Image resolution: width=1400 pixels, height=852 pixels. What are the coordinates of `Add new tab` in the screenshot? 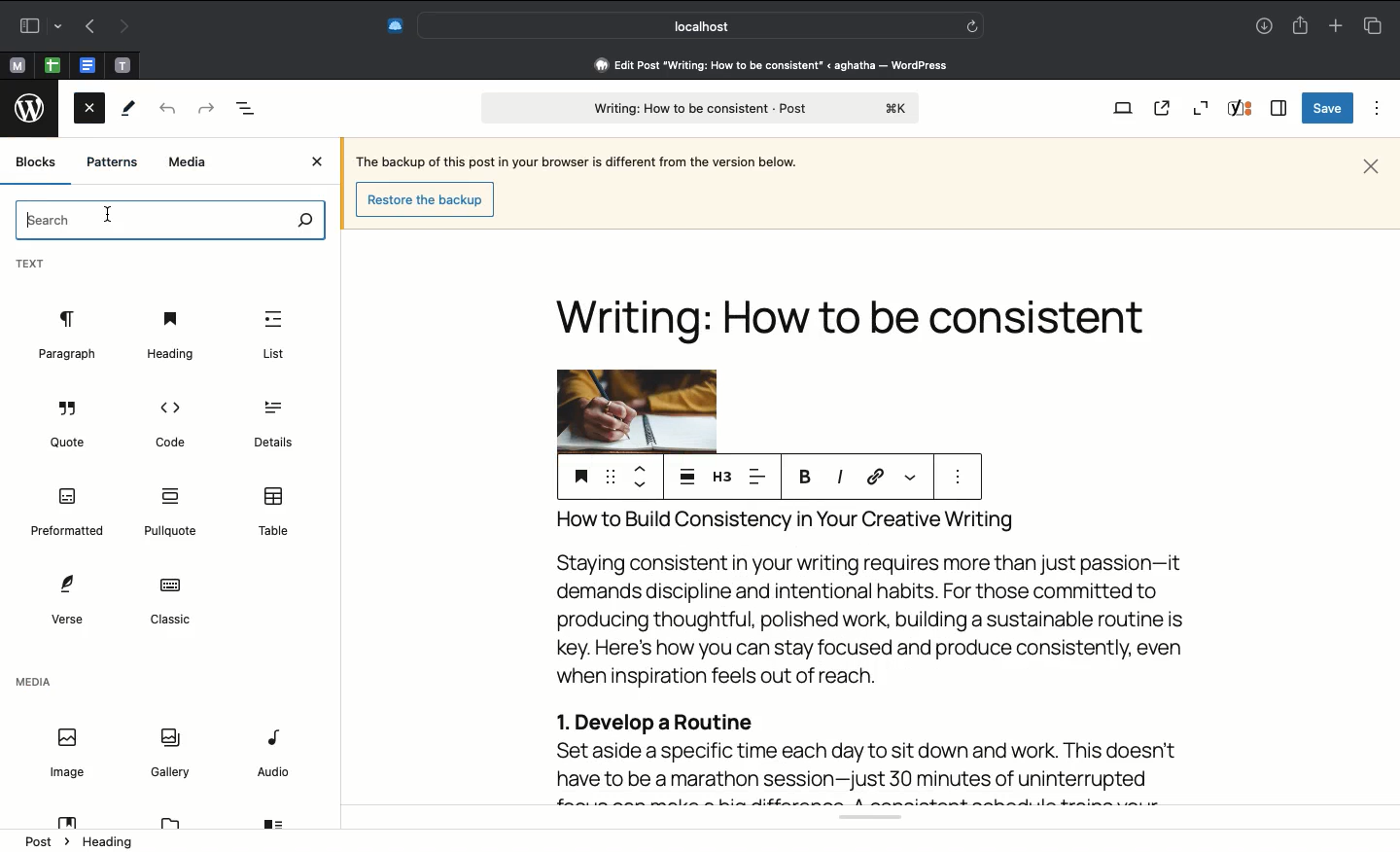 It's located at (1338, 25).